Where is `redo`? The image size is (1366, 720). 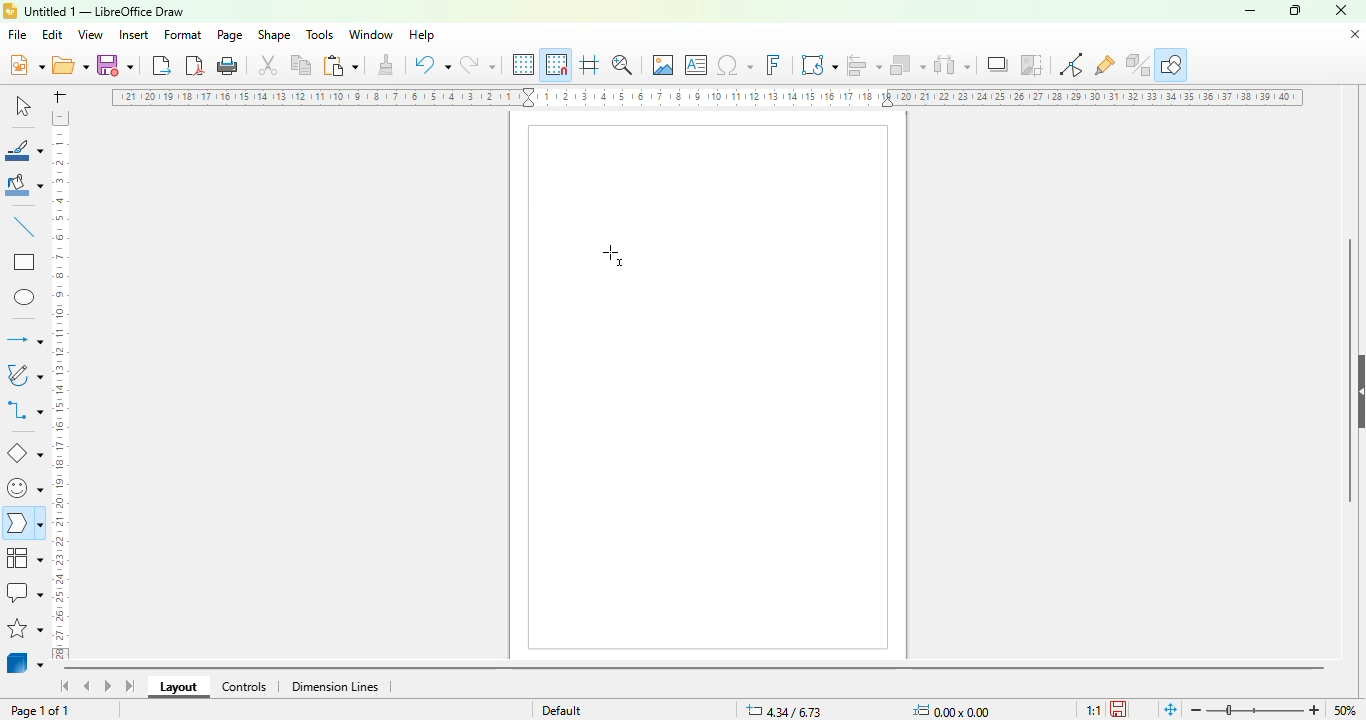
redo is located at coordinates (477, 64).